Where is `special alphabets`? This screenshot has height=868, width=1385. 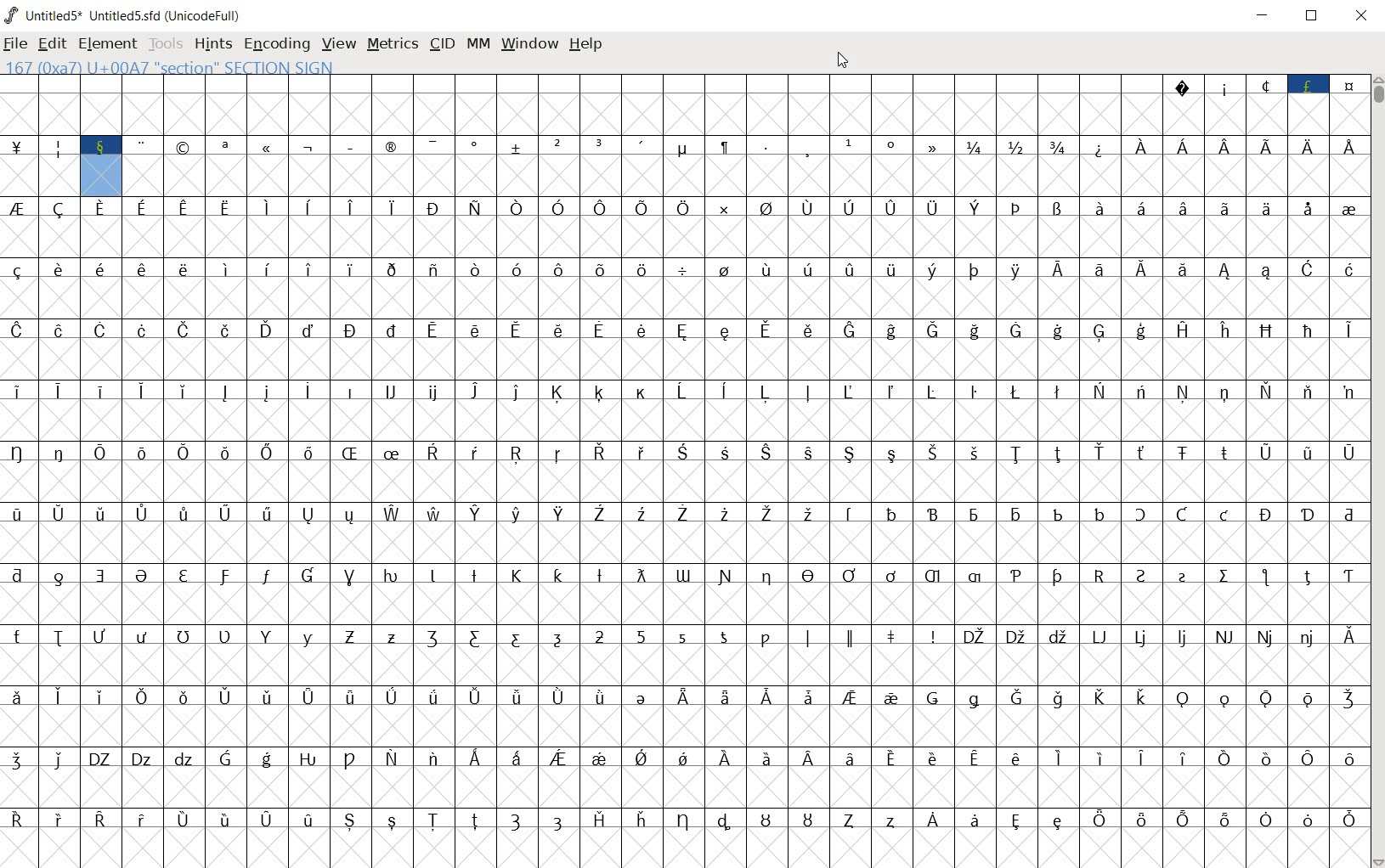 special alphabets is located at coordinates (682, 595).